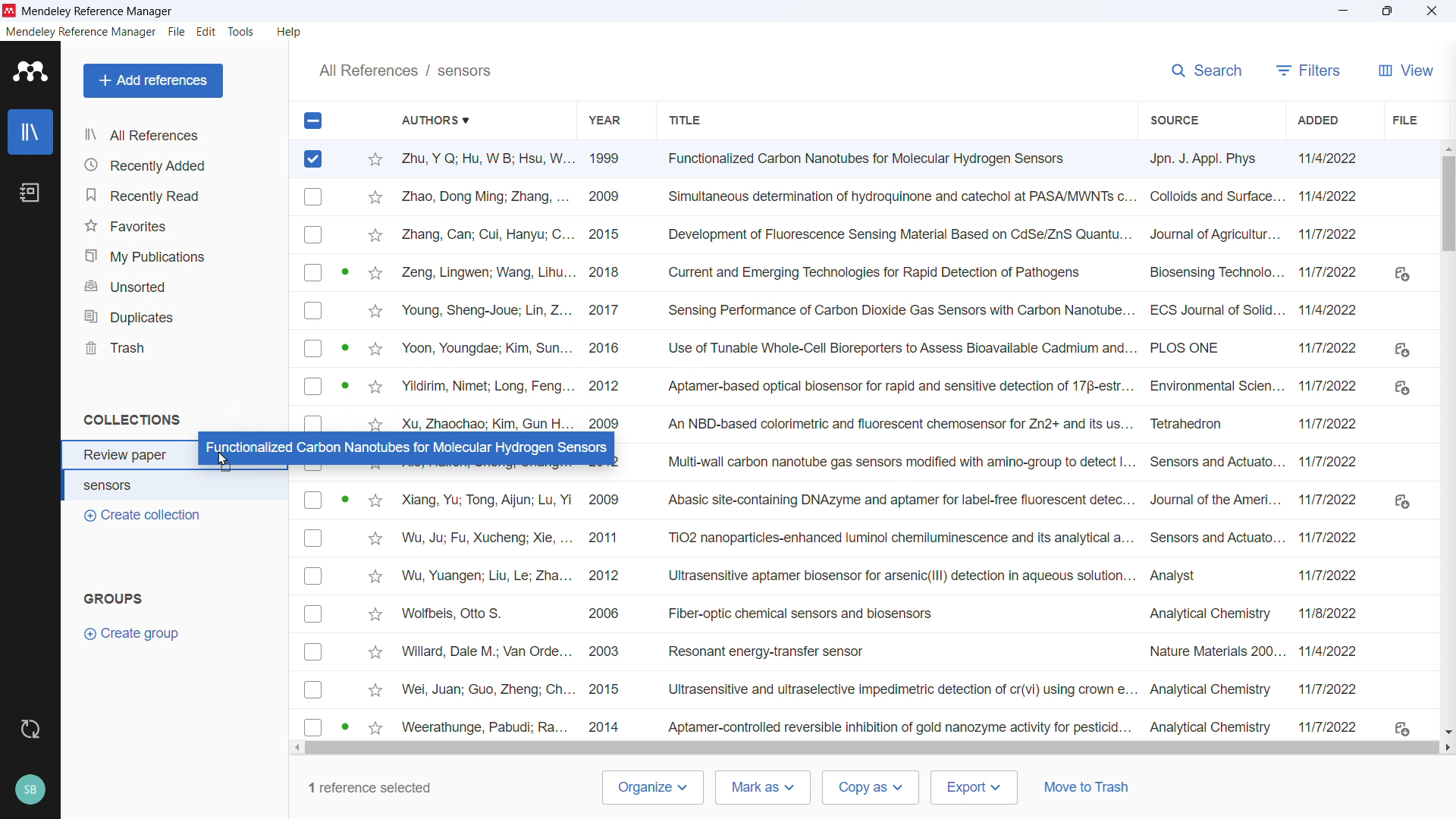  Describe the element at coordinates (497, 163) in the screenshot. I see `Cursor ` at that location.